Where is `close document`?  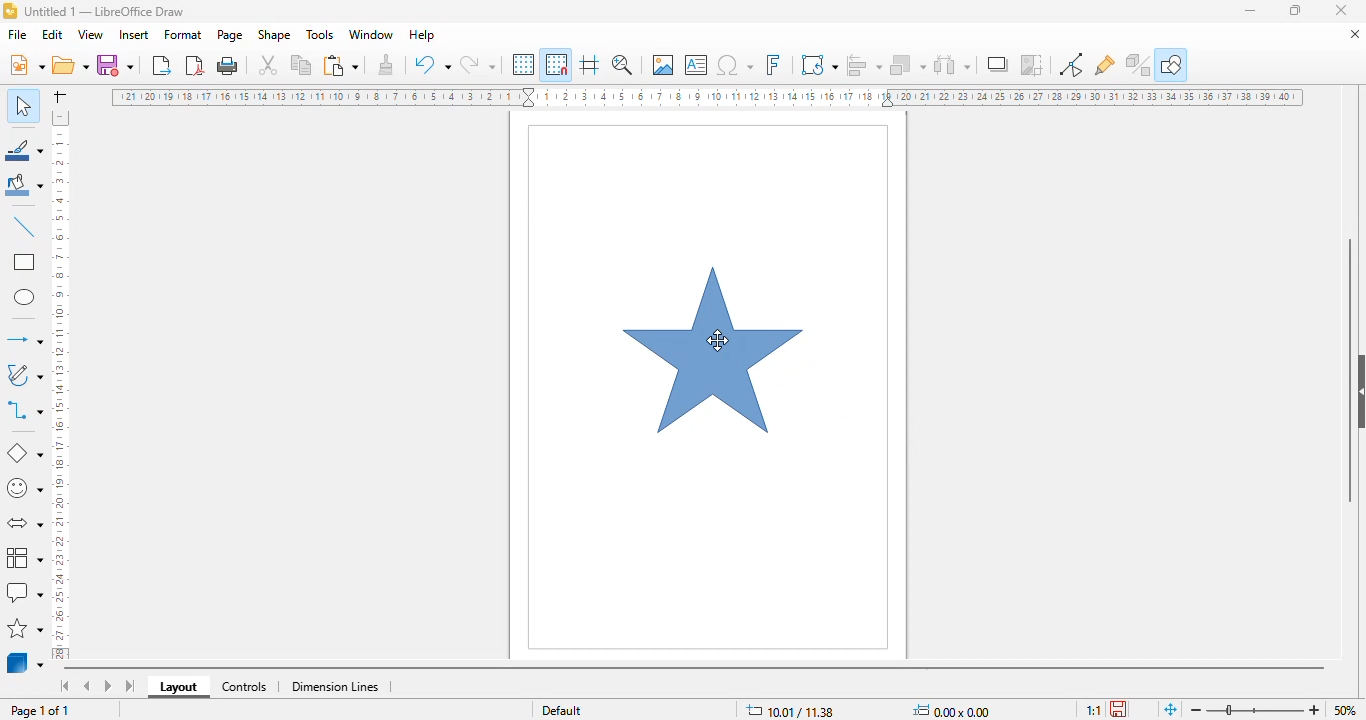
close document is located at coordinates (1352, 33).